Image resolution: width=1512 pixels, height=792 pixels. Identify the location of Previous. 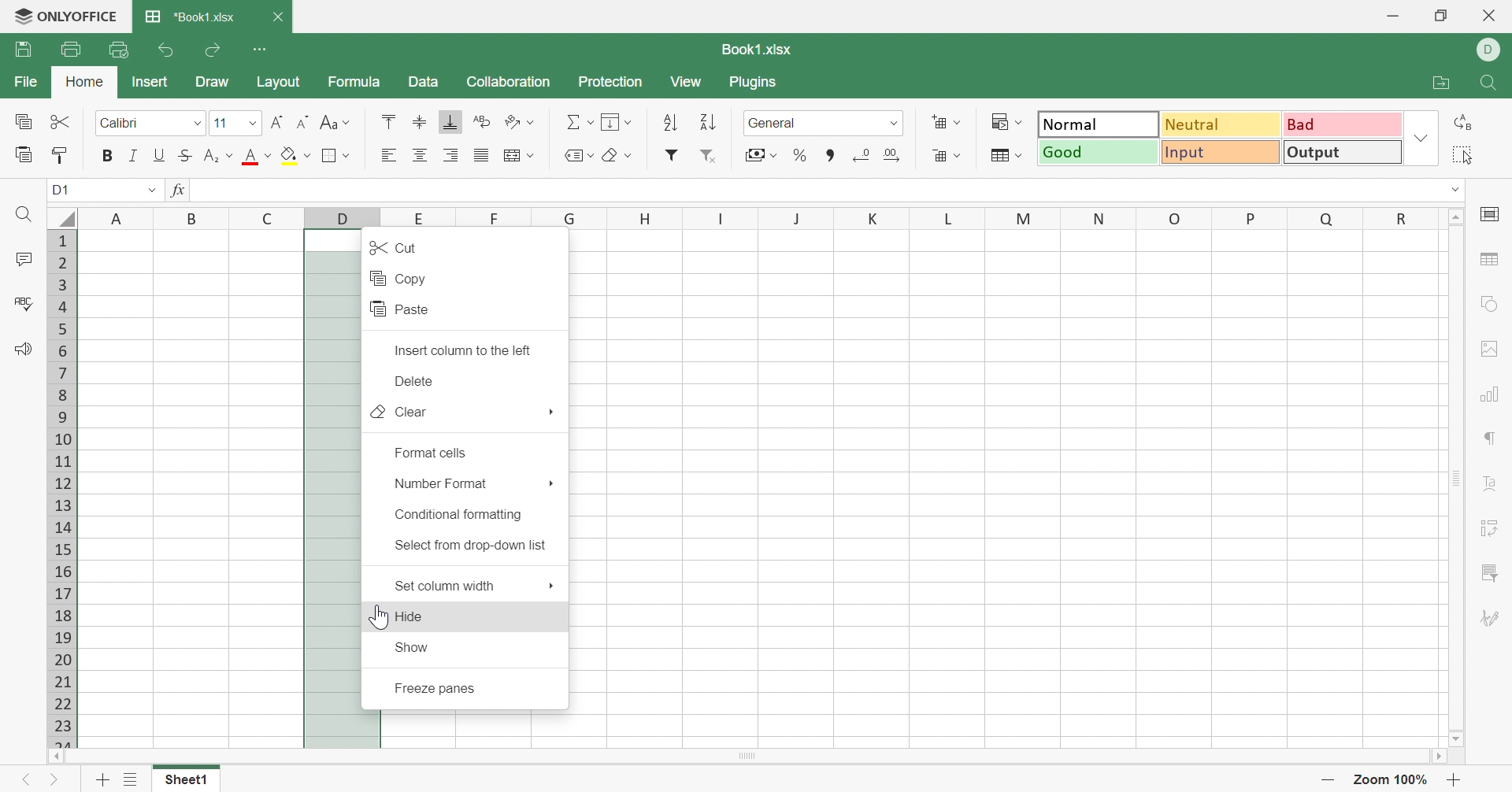
(23, 779).